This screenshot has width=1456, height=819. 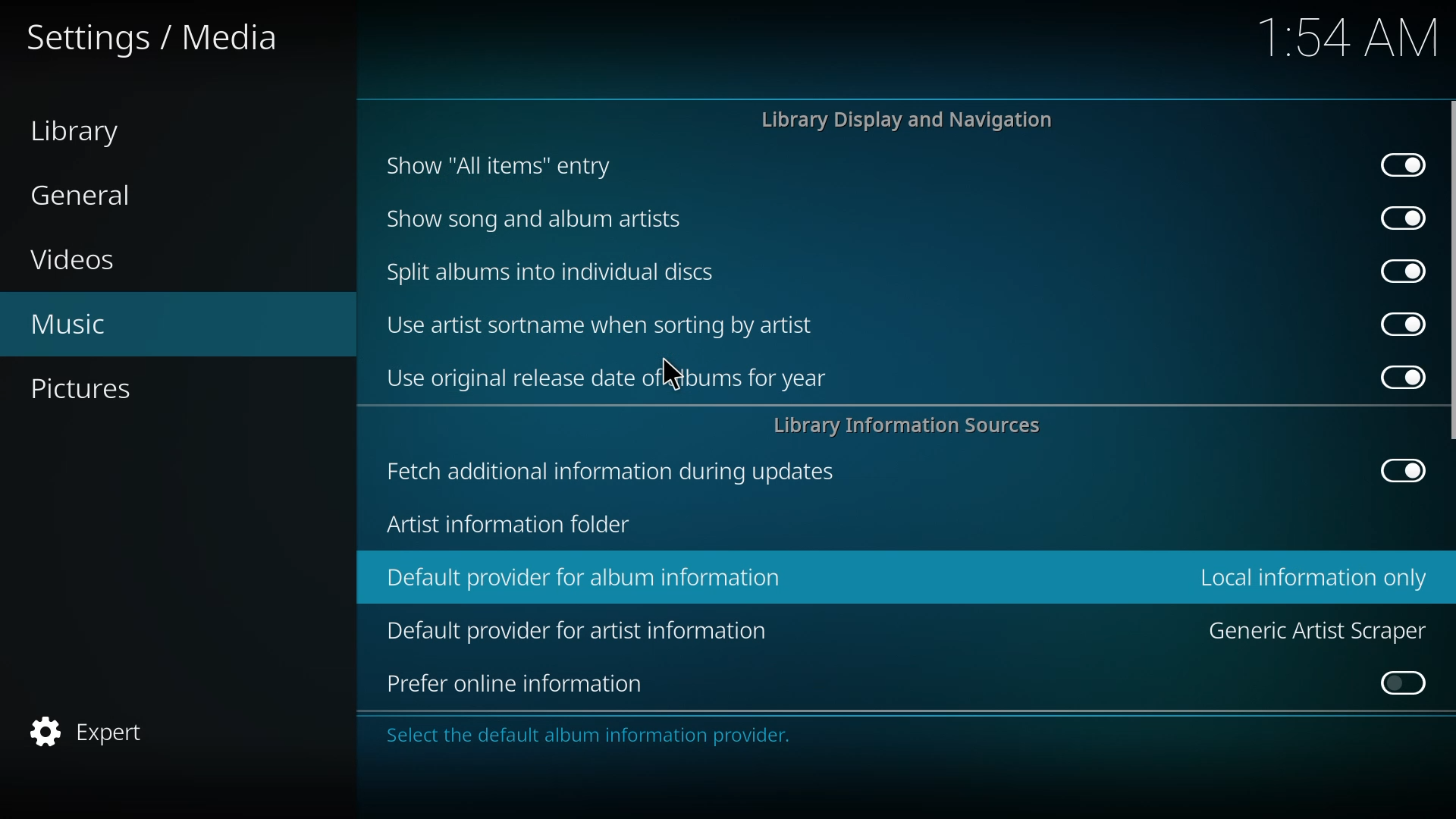 I want to click on prefer online information, so click(x=519, y=684).